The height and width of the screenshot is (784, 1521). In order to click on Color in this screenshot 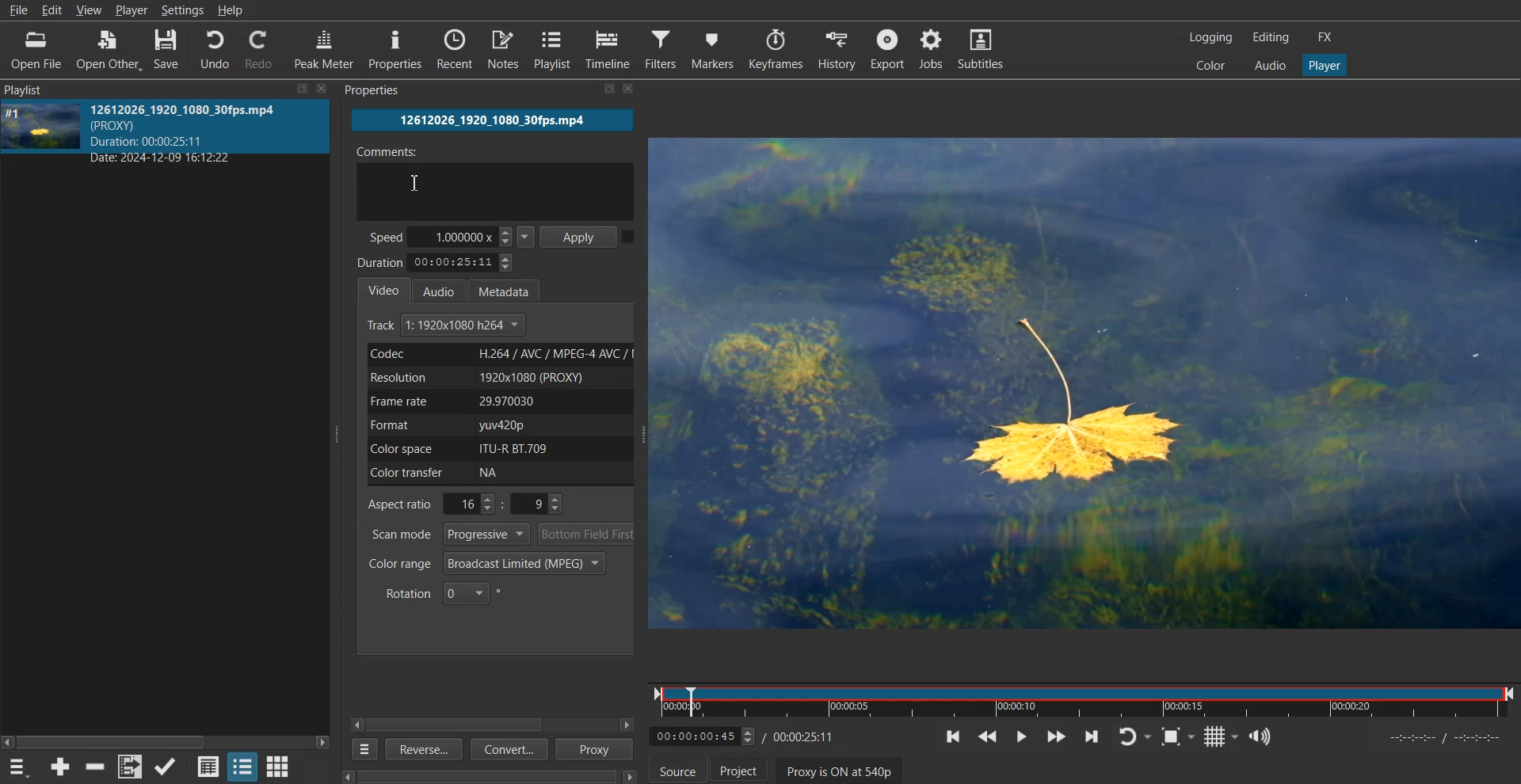, I will do `click(1211, 65)`.